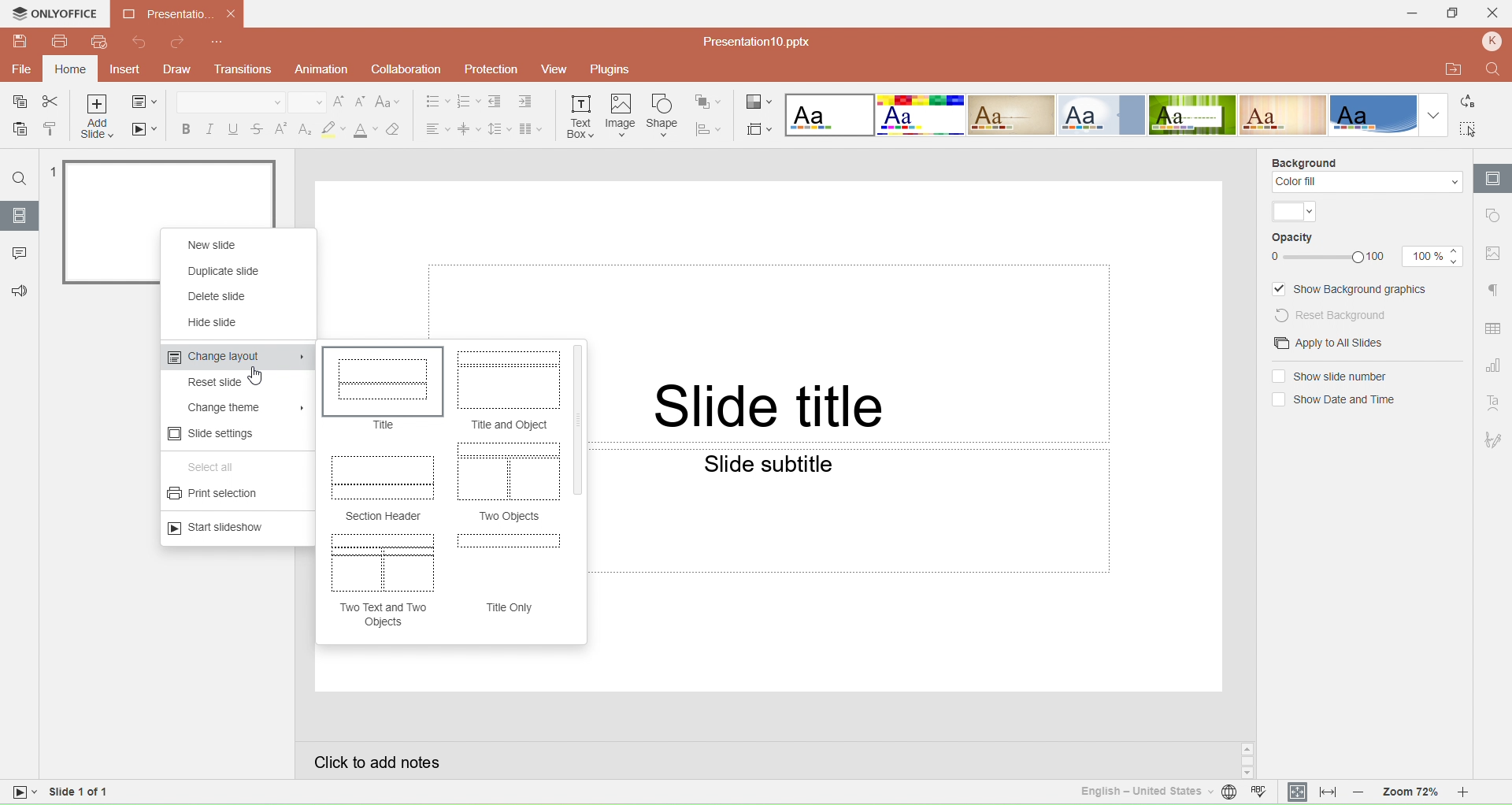  I want to click on Close, so click(1495, 15).